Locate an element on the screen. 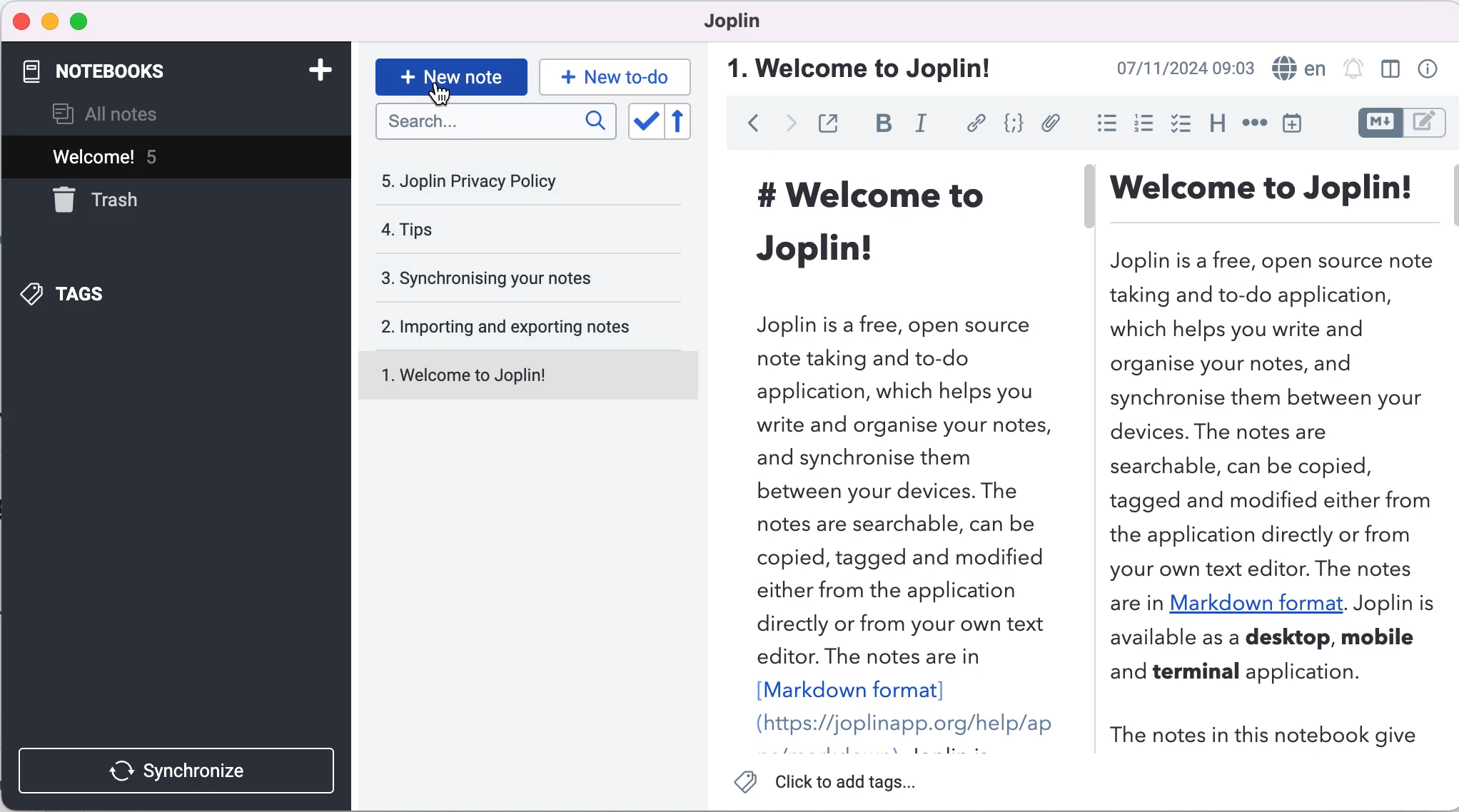 The width and height of the screenshot is (1459, 812). search is located at coordinates (495, 121).